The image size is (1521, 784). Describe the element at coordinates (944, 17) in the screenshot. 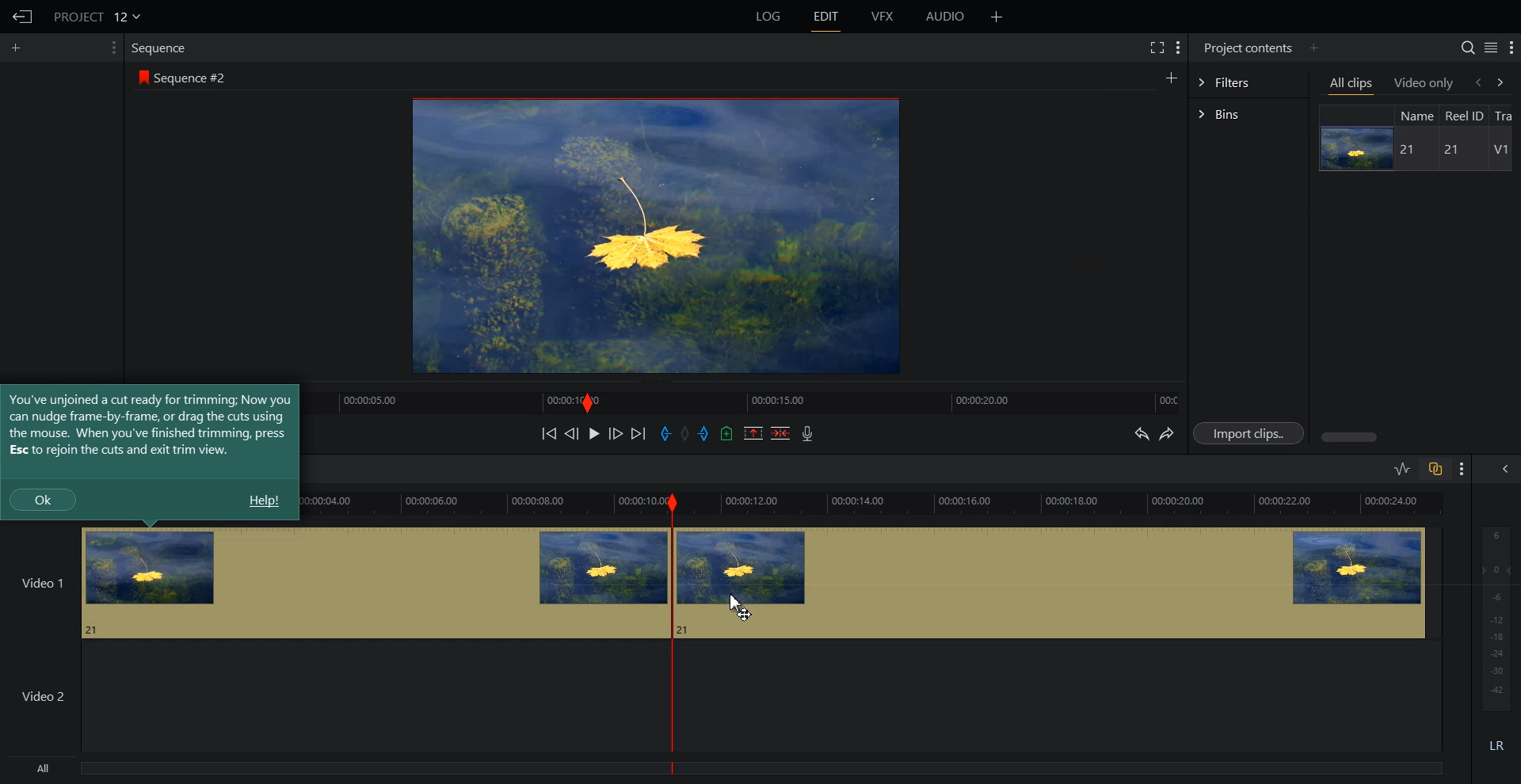

I see `AUDIO` at that location.